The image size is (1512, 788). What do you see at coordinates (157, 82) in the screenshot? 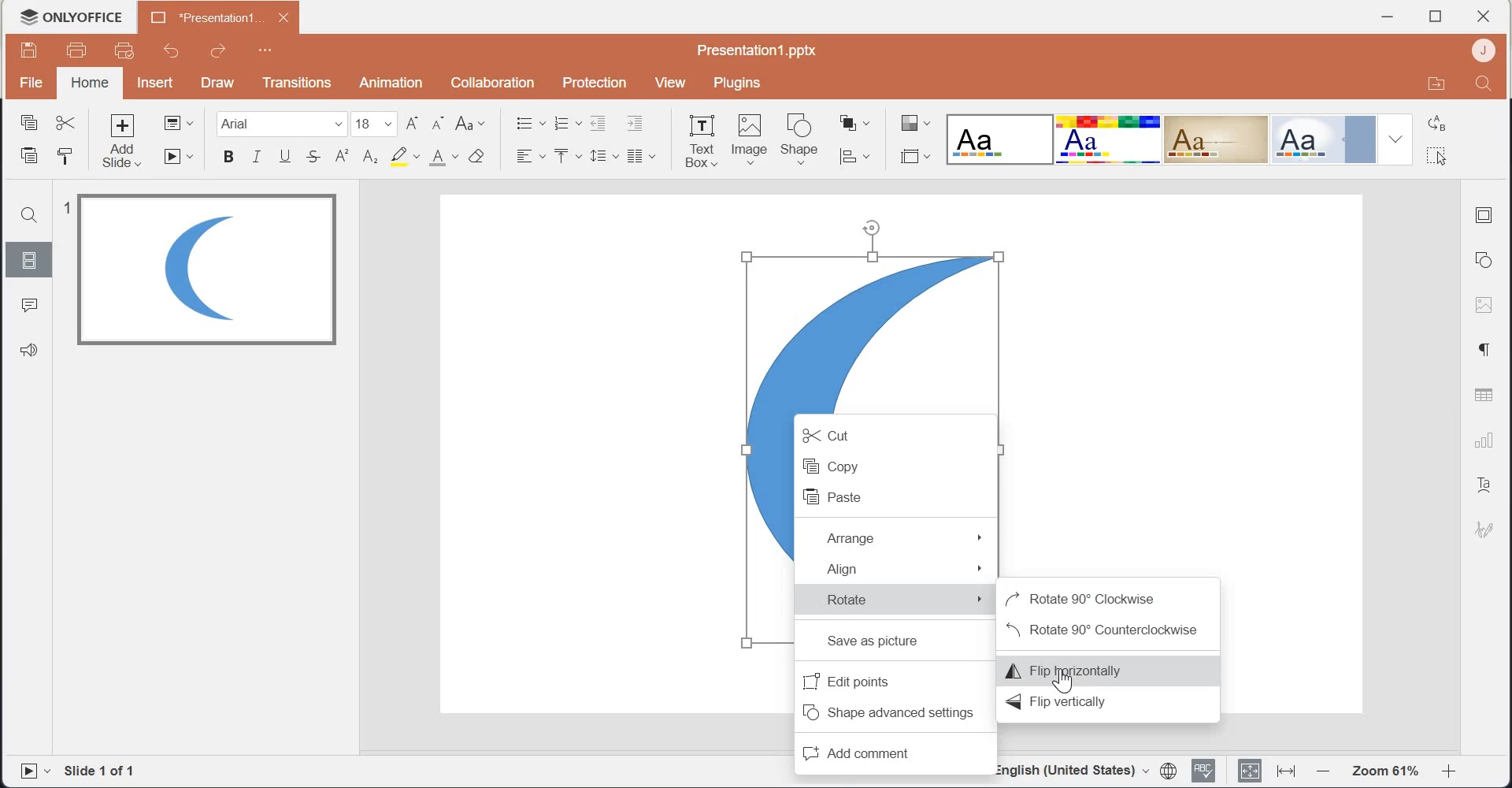
I see `Insert` at bounding box center [157, 82].